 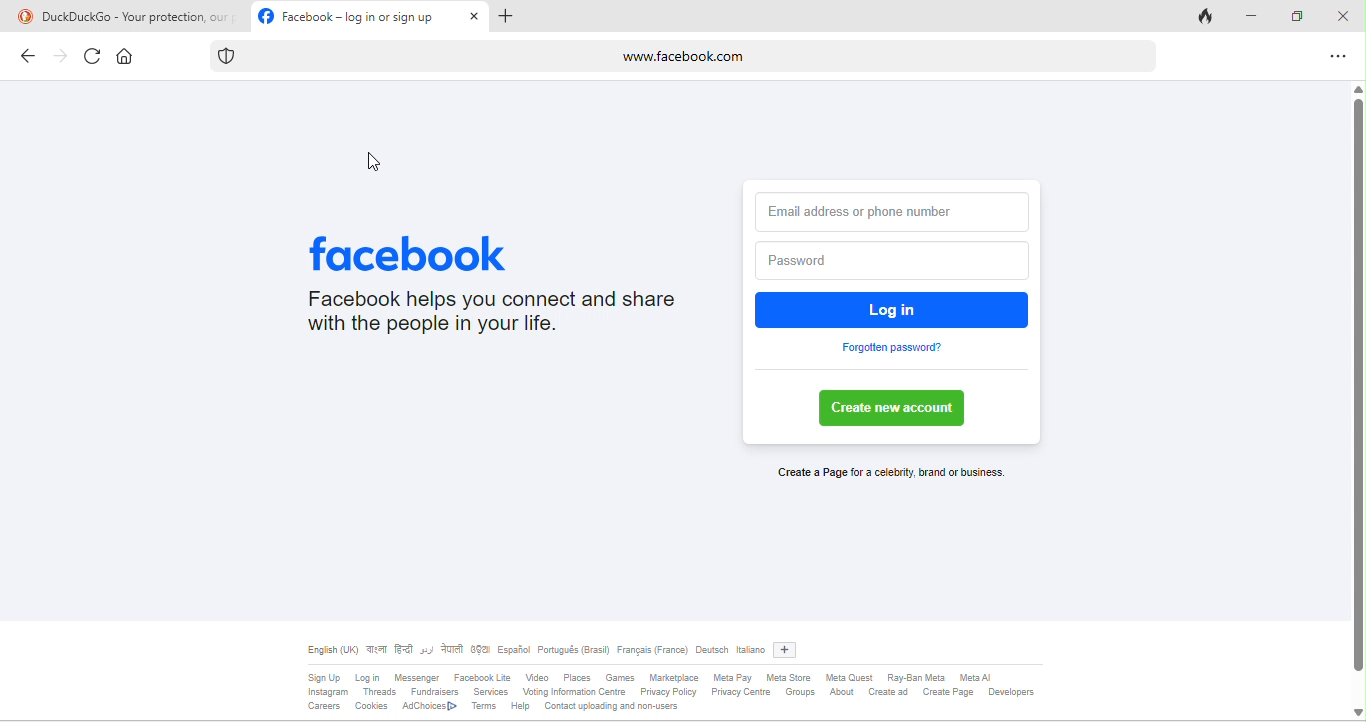 I want to click on add, so click(x=790, y=647).